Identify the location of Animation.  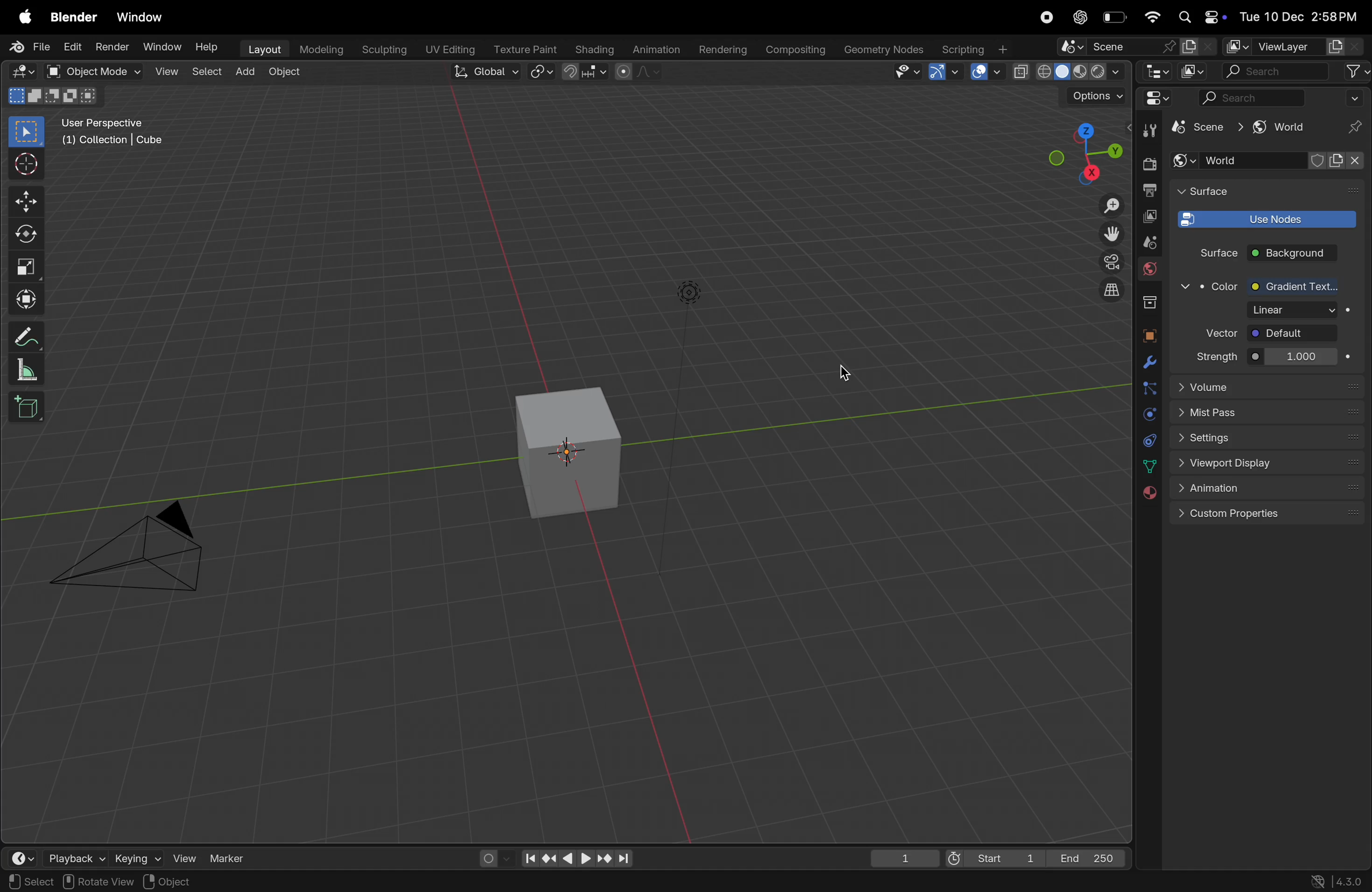
(1268, 487).